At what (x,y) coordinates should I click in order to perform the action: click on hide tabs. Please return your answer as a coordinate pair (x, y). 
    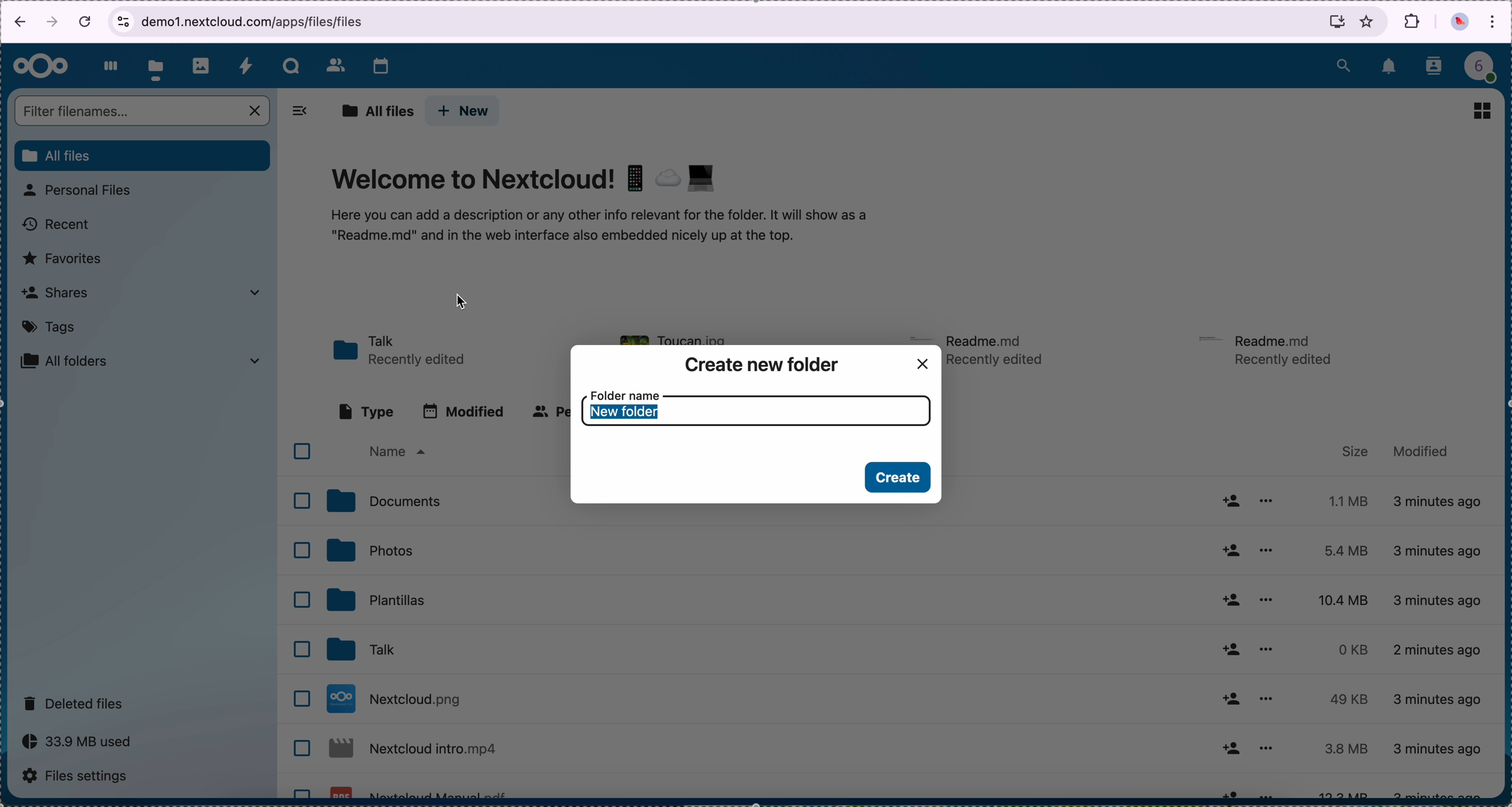
    Looking at the image, I should click on (299, 114).